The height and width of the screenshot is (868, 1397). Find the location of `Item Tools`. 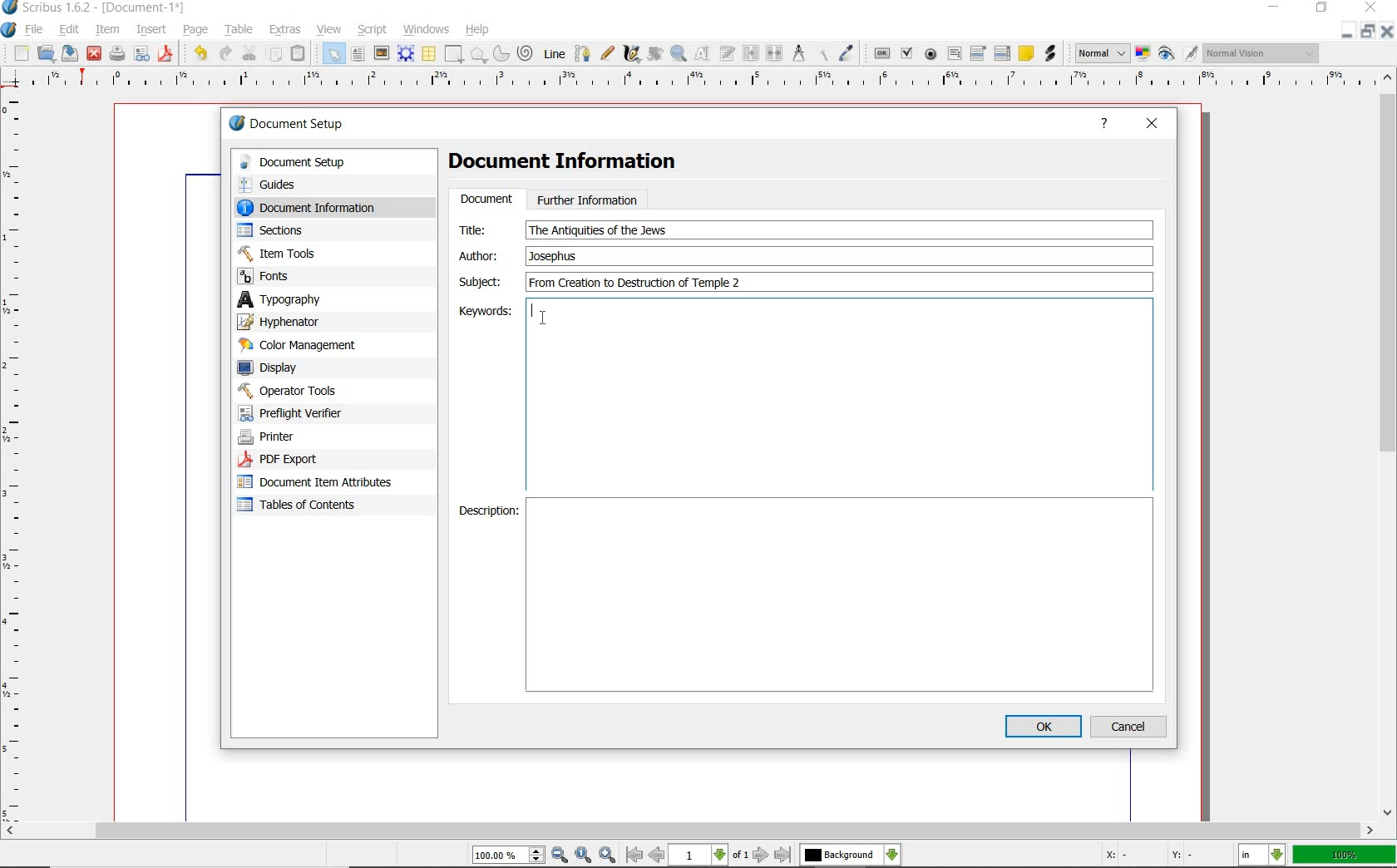

Item Tools is located at coordinates (315, 253).